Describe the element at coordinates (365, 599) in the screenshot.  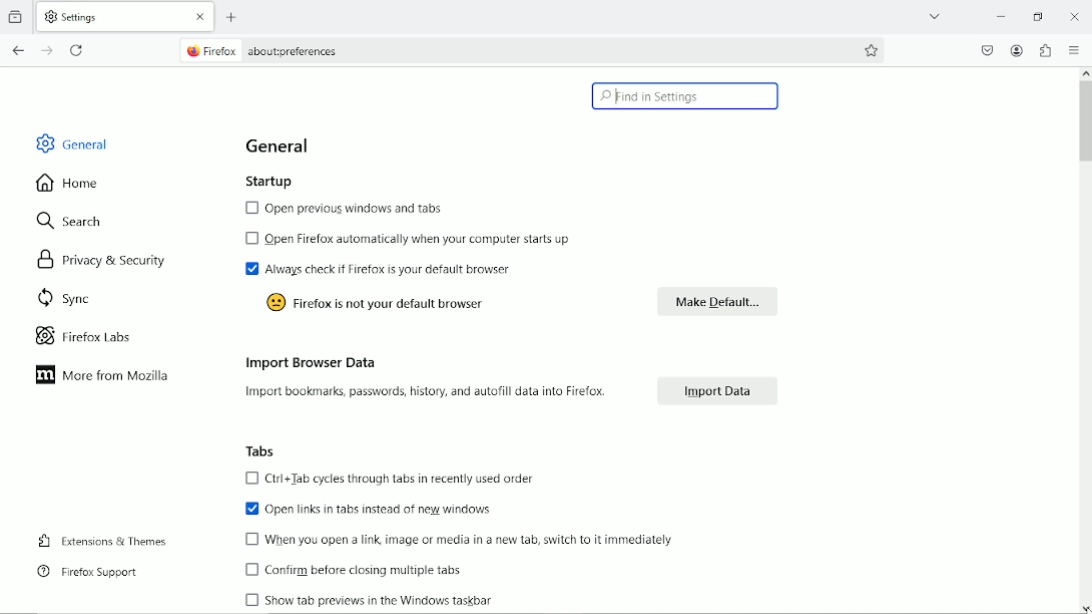
I see `Show tab previews in the windows taskbar` at that location.